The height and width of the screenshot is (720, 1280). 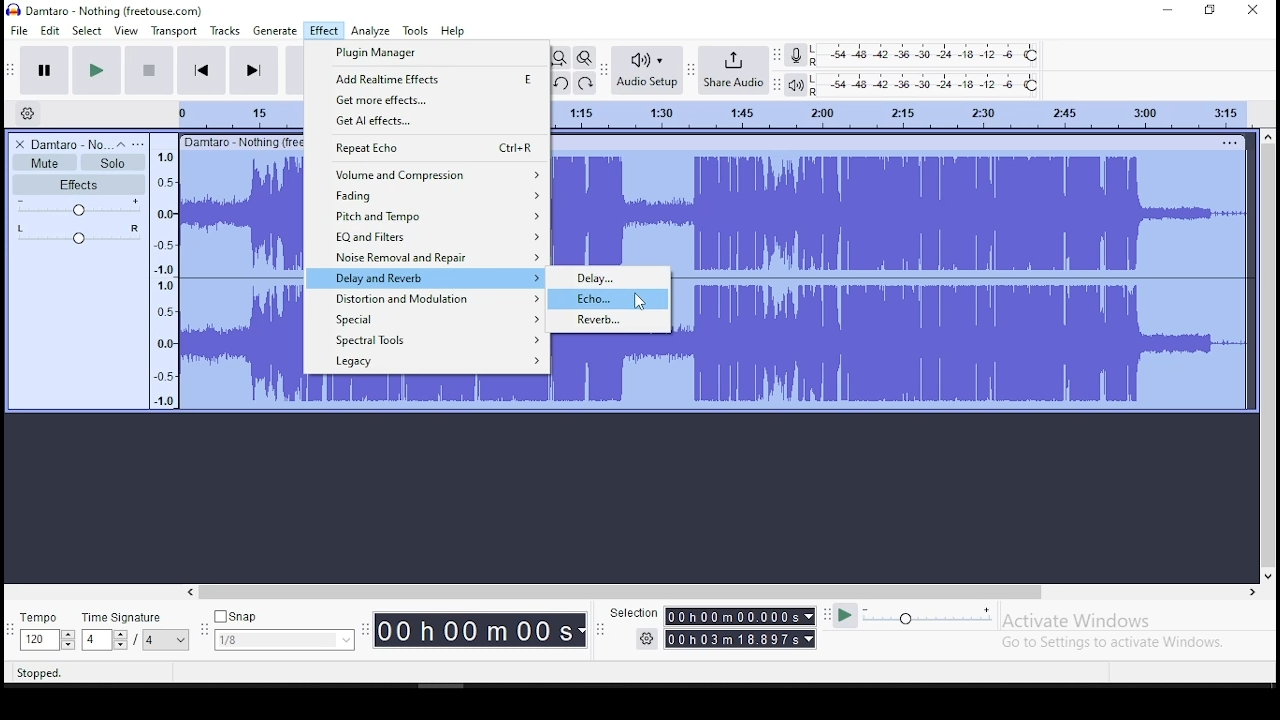 I want to click on volume, so click(x=79, y=207).